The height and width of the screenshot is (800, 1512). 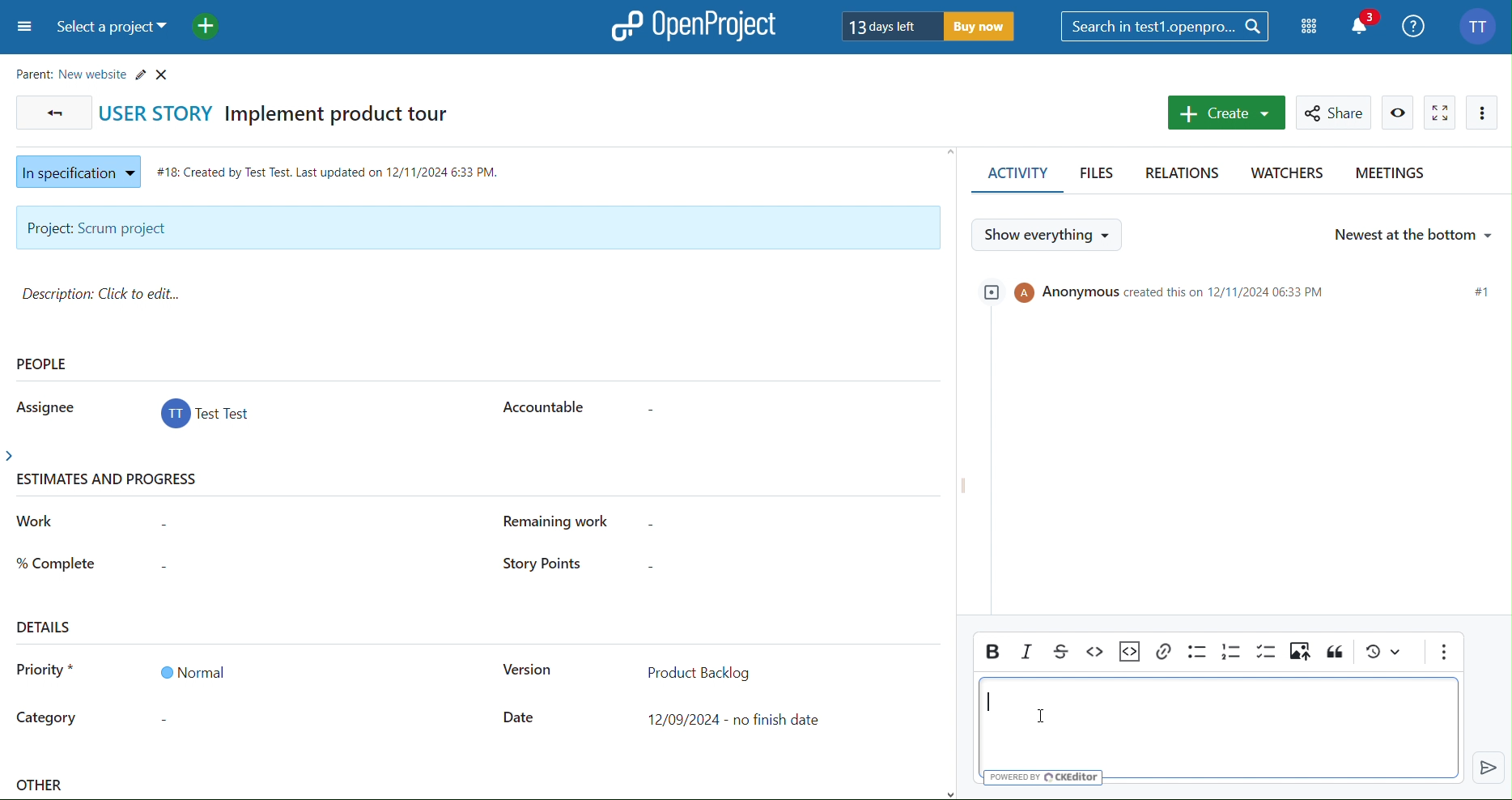 I want to click on Create, so click(x=1225, y=113).